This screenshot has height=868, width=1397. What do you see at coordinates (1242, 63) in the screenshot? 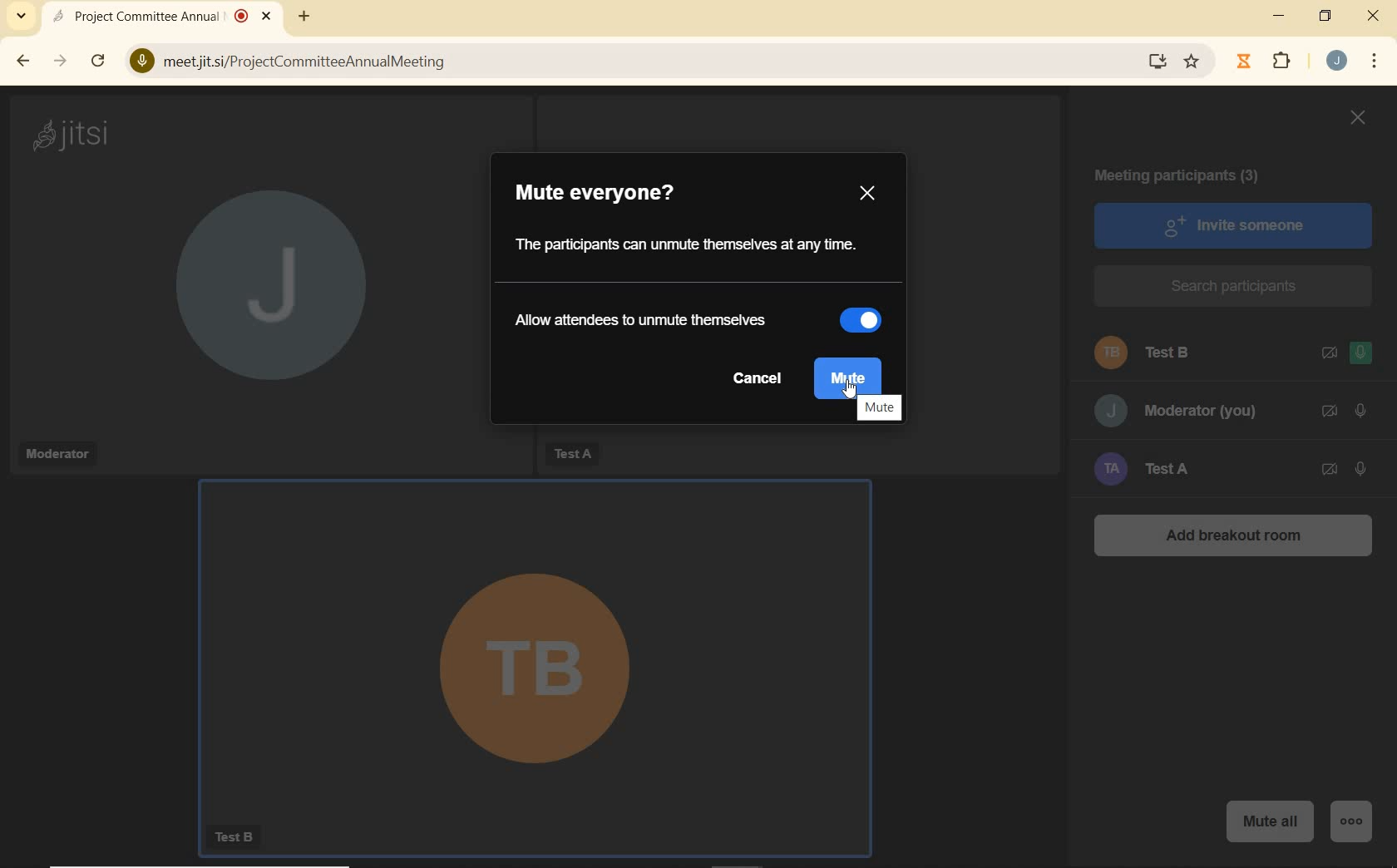
I see `Jibble` at bounding box center [1242, 63].